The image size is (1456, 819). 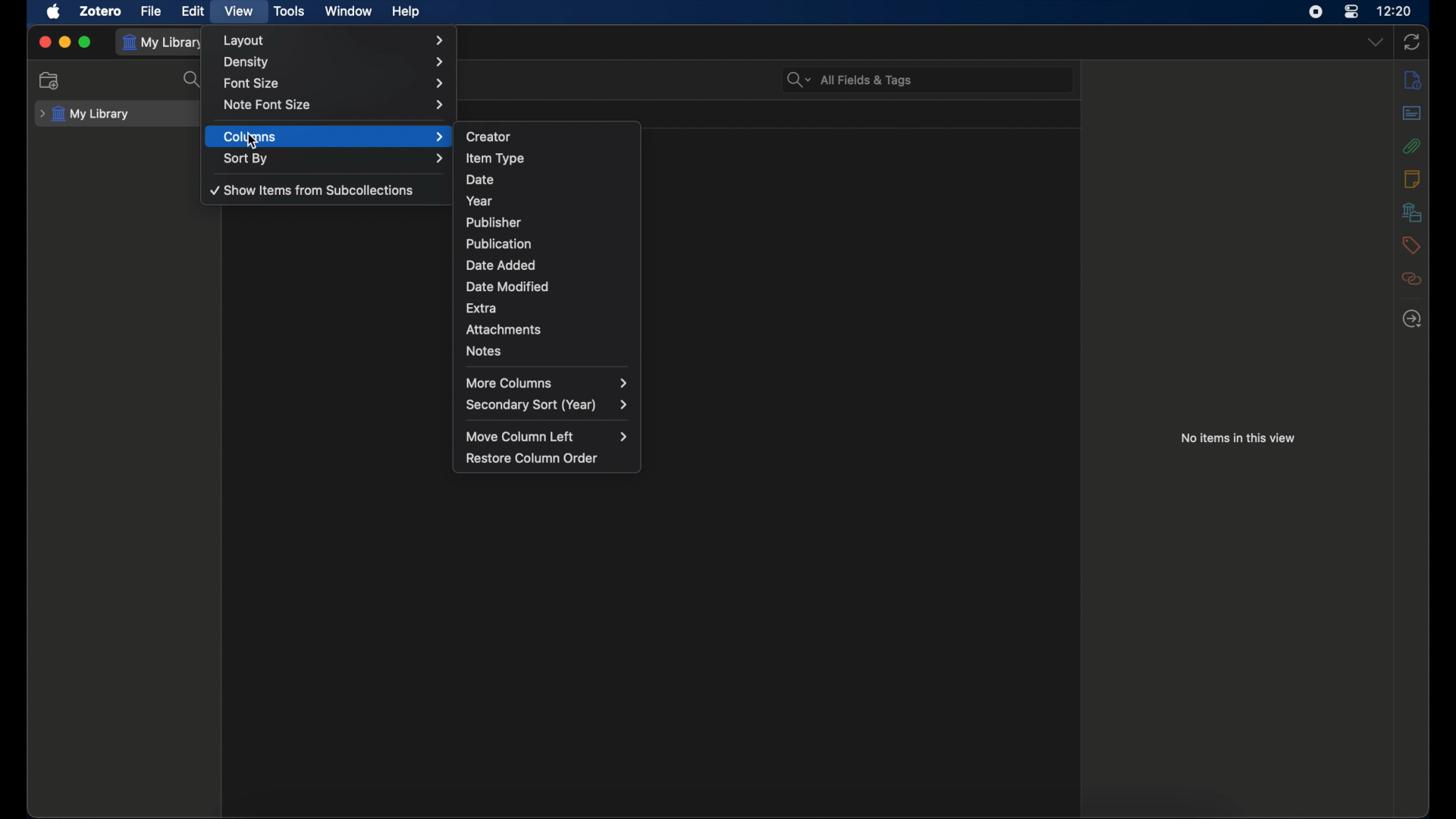 What do you see at coordinates (1352, 11) in the screenshot?
I see `control center` at bounding box center [1352, 11].